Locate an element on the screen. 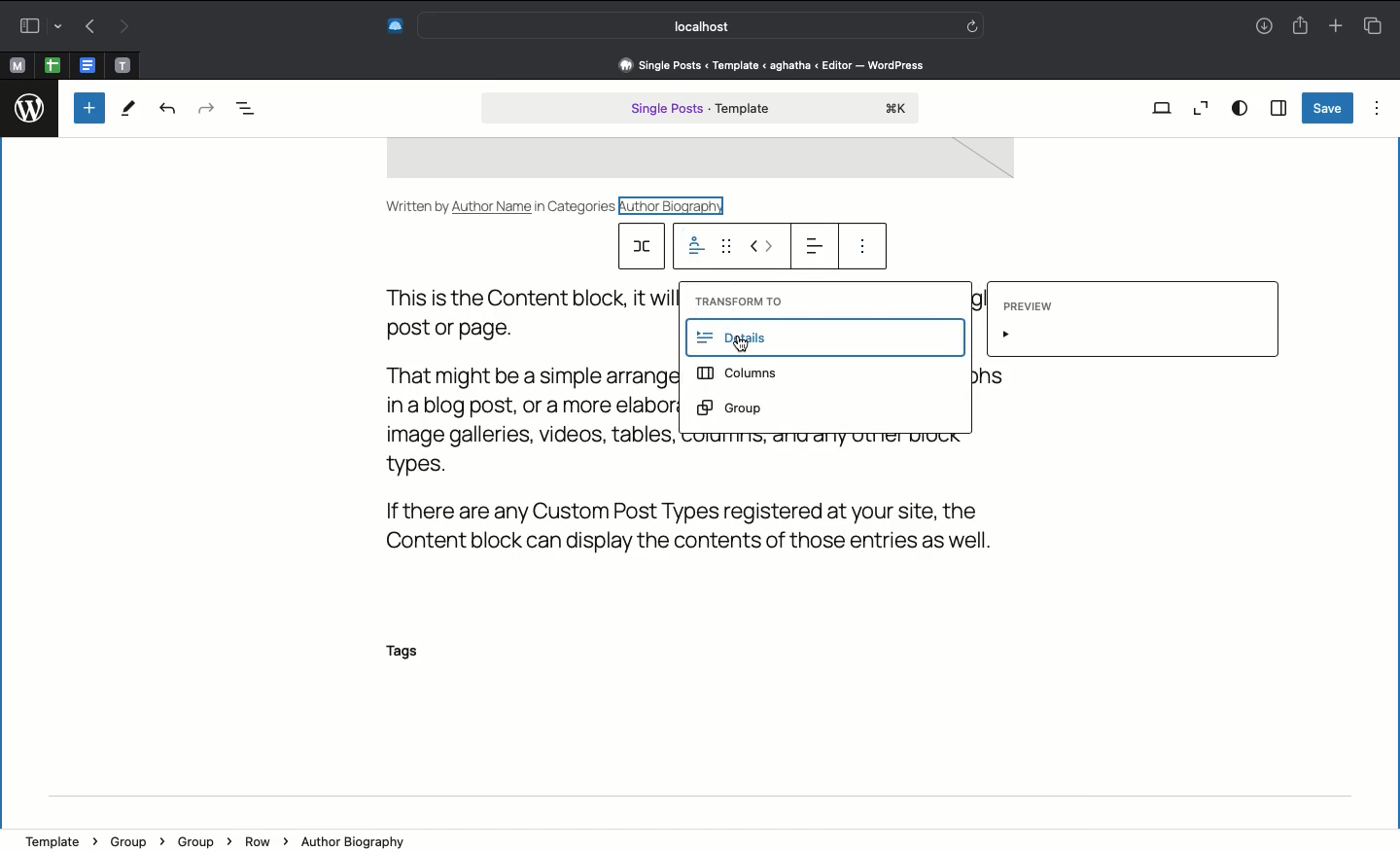 The image size is (1400, 852). Transform to is located at coordinates (737, 301).